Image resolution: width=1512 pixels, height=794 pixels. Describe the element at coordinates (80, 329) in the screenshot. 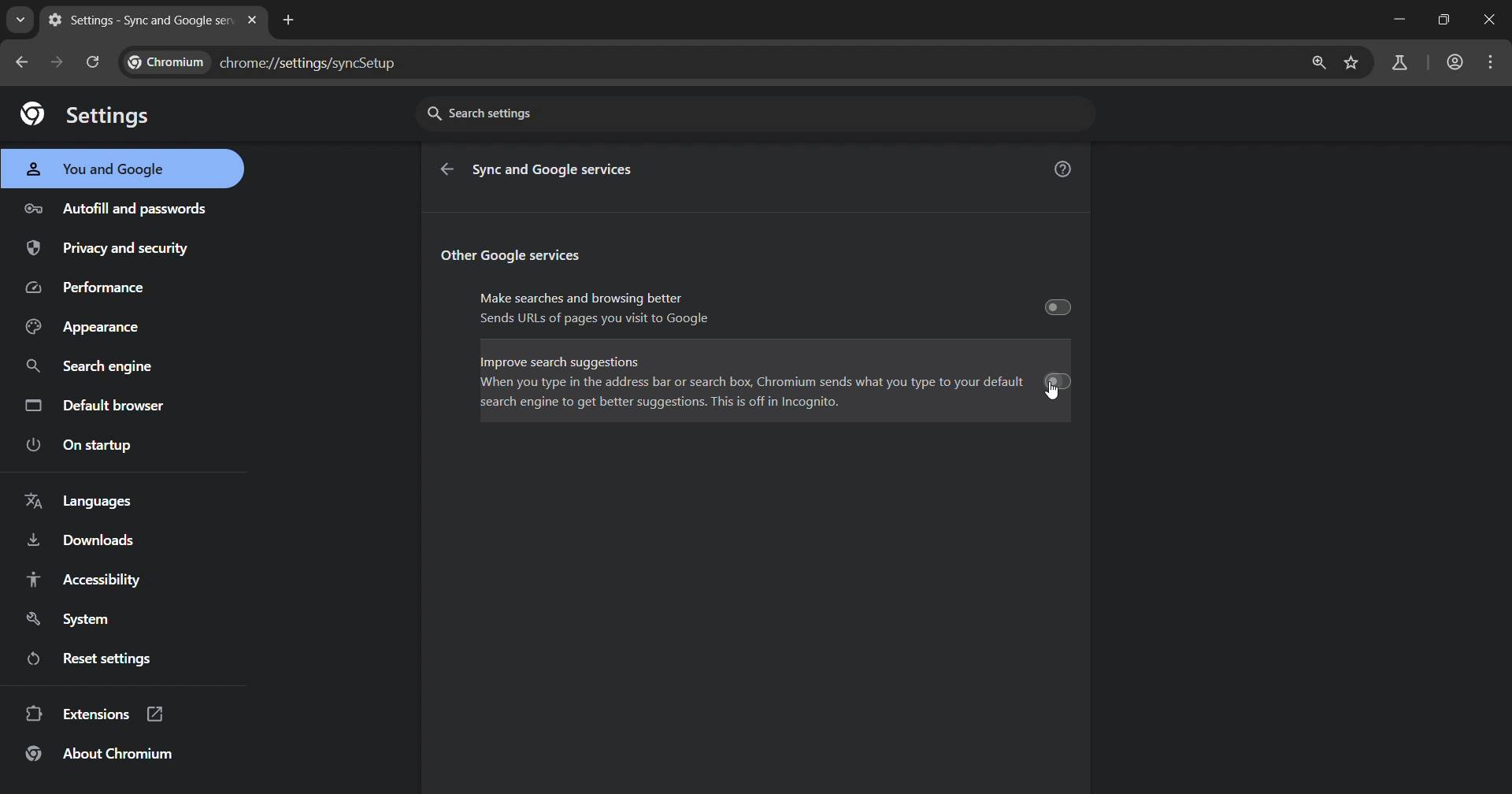

I see `appearance` at that location.